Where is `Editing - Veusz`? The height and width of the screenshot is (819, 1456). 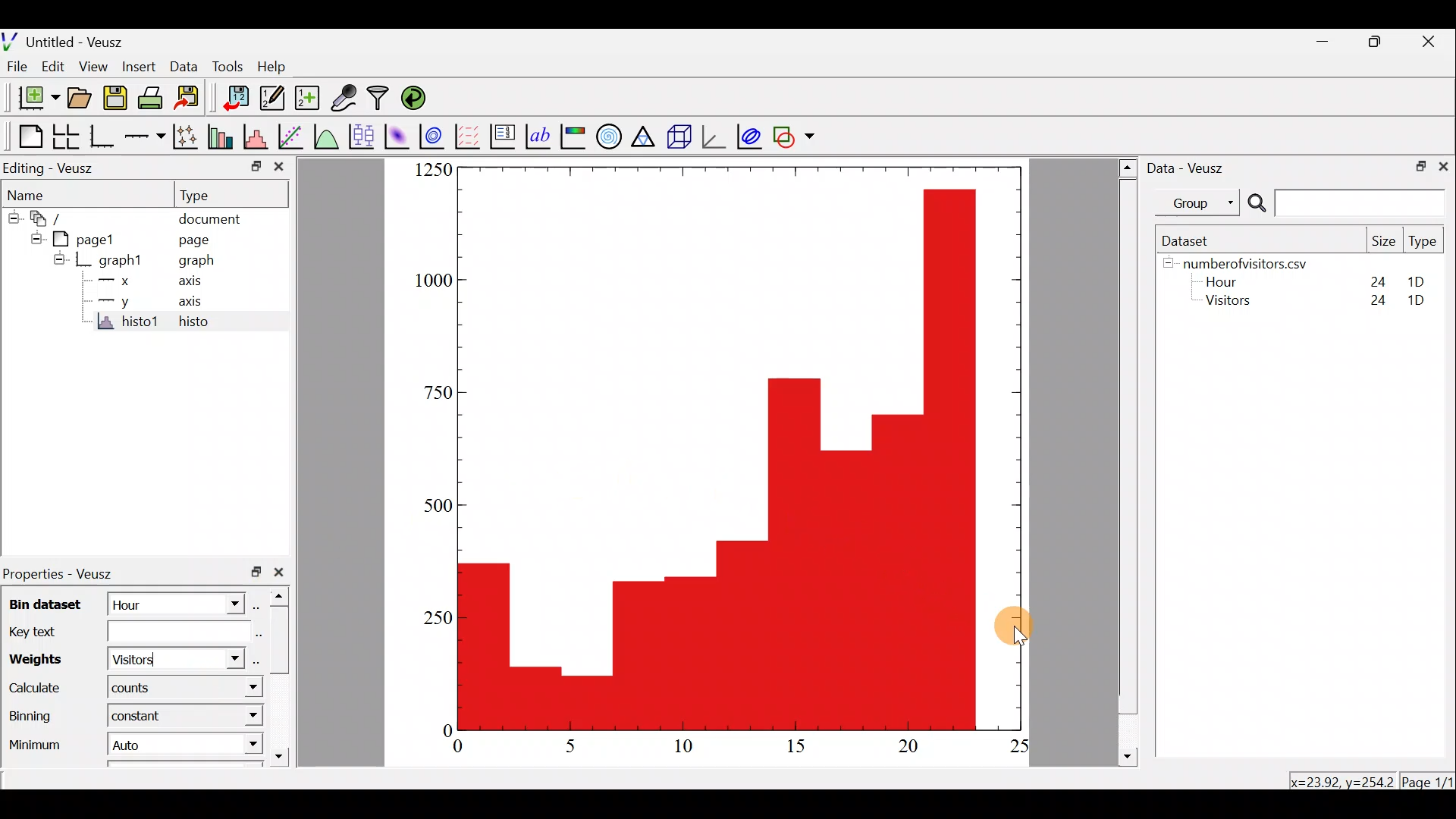 Editing - Veusz is located at coordinates (52, 168).